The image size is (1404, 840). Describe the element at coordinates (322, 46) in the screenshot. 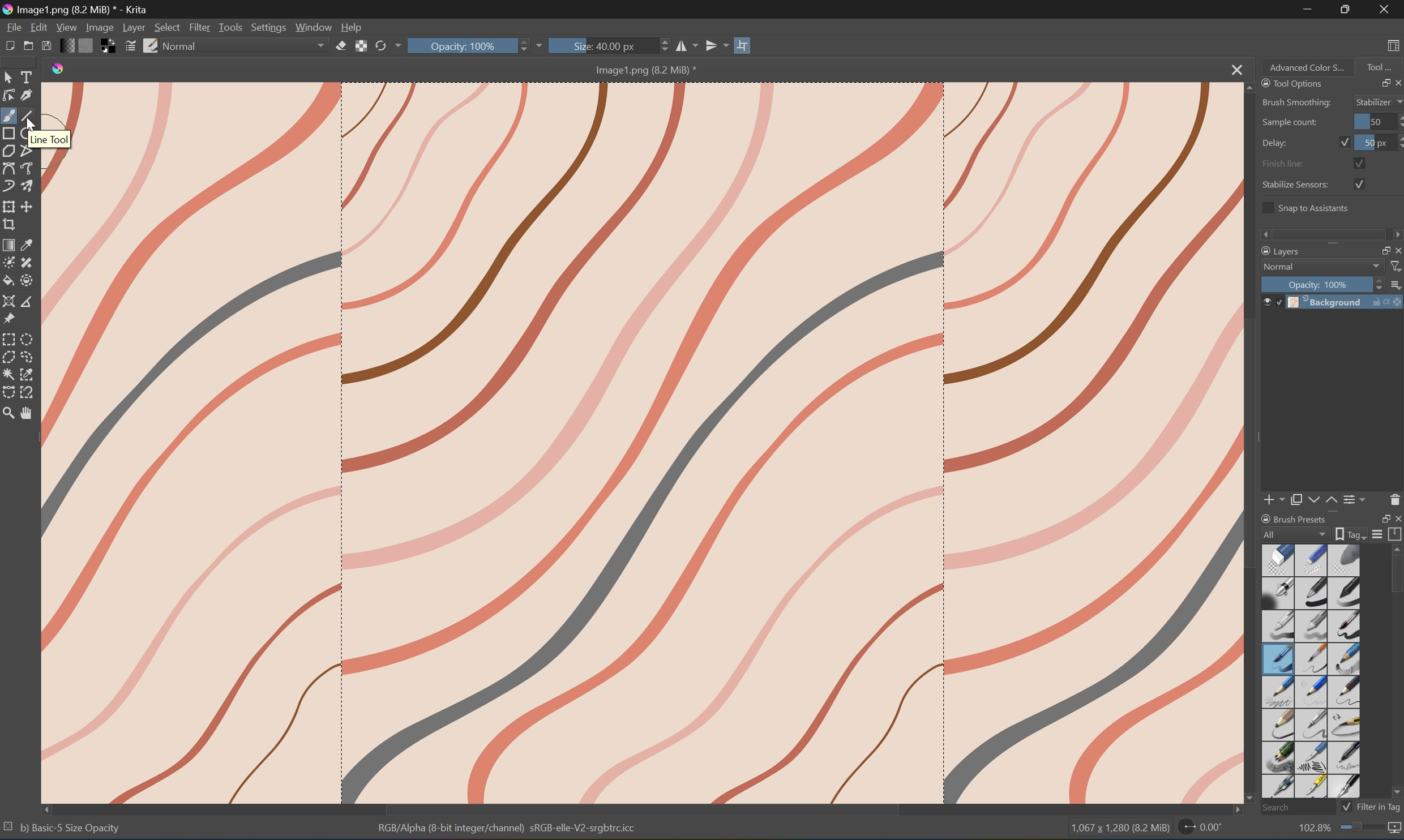

I see `Drop Down` at that location.